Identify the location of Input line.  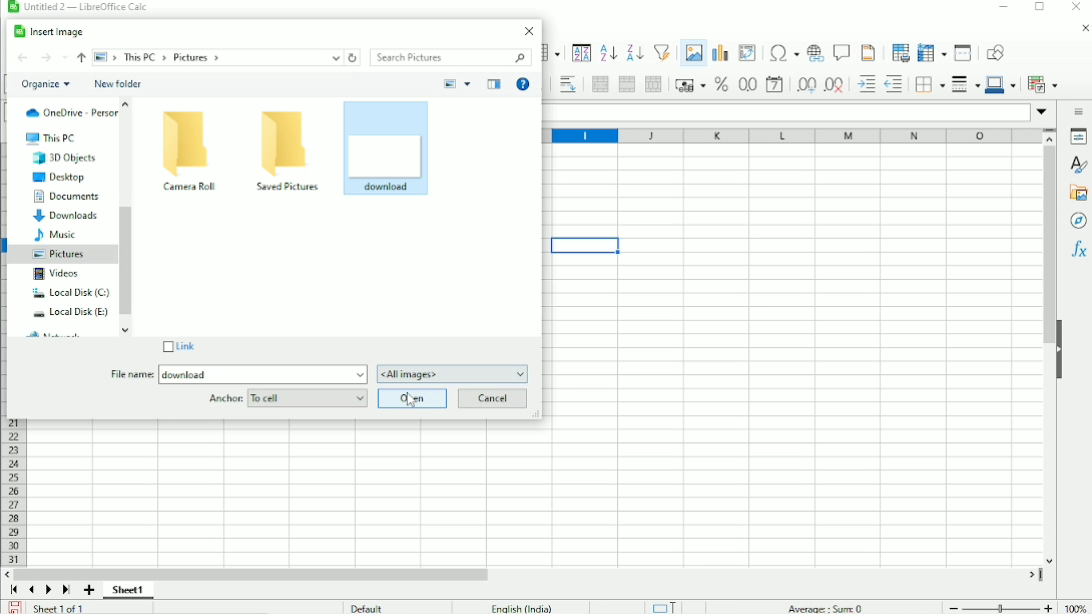
(785, 112).